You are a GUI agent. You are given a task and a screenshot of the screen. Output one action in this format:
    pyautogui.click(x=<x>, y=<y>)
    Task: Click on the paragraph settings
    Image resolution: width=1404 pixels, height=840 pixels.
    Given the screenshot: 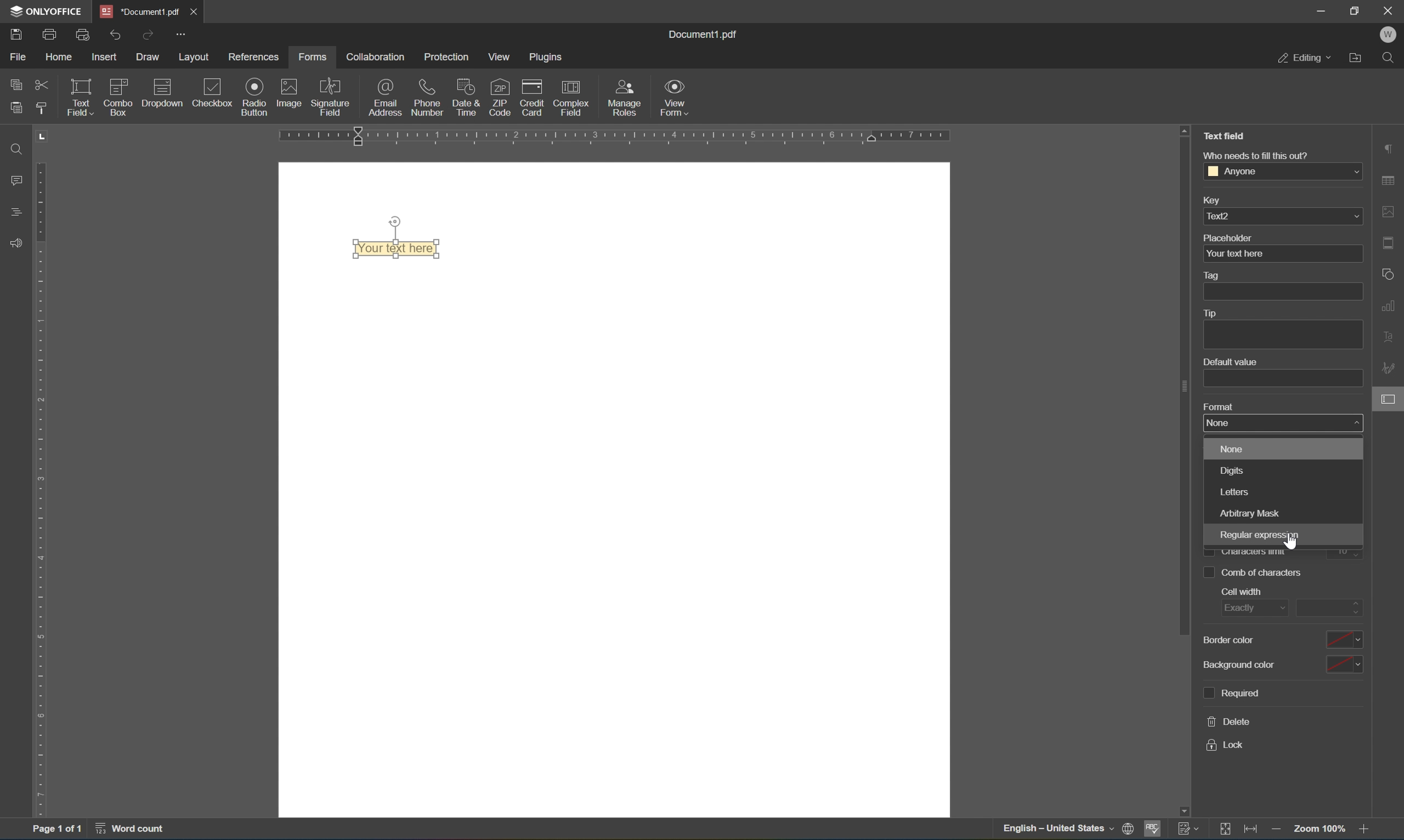 What is the action you would take?
    pyautogui.click(x=1389, y=146)
    